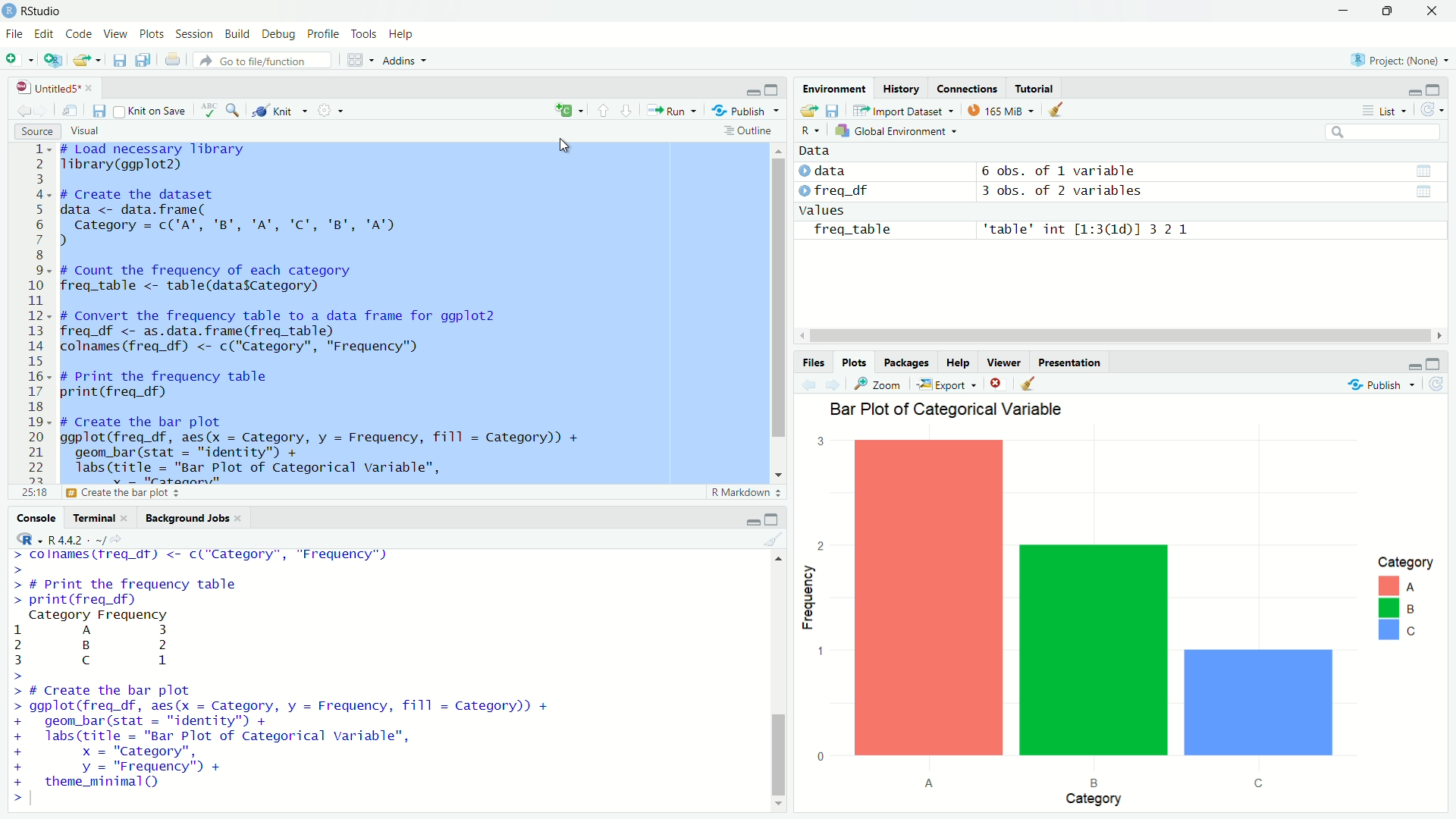 The image size is (1456, 819). I want to click on knit, so click(279, 111).